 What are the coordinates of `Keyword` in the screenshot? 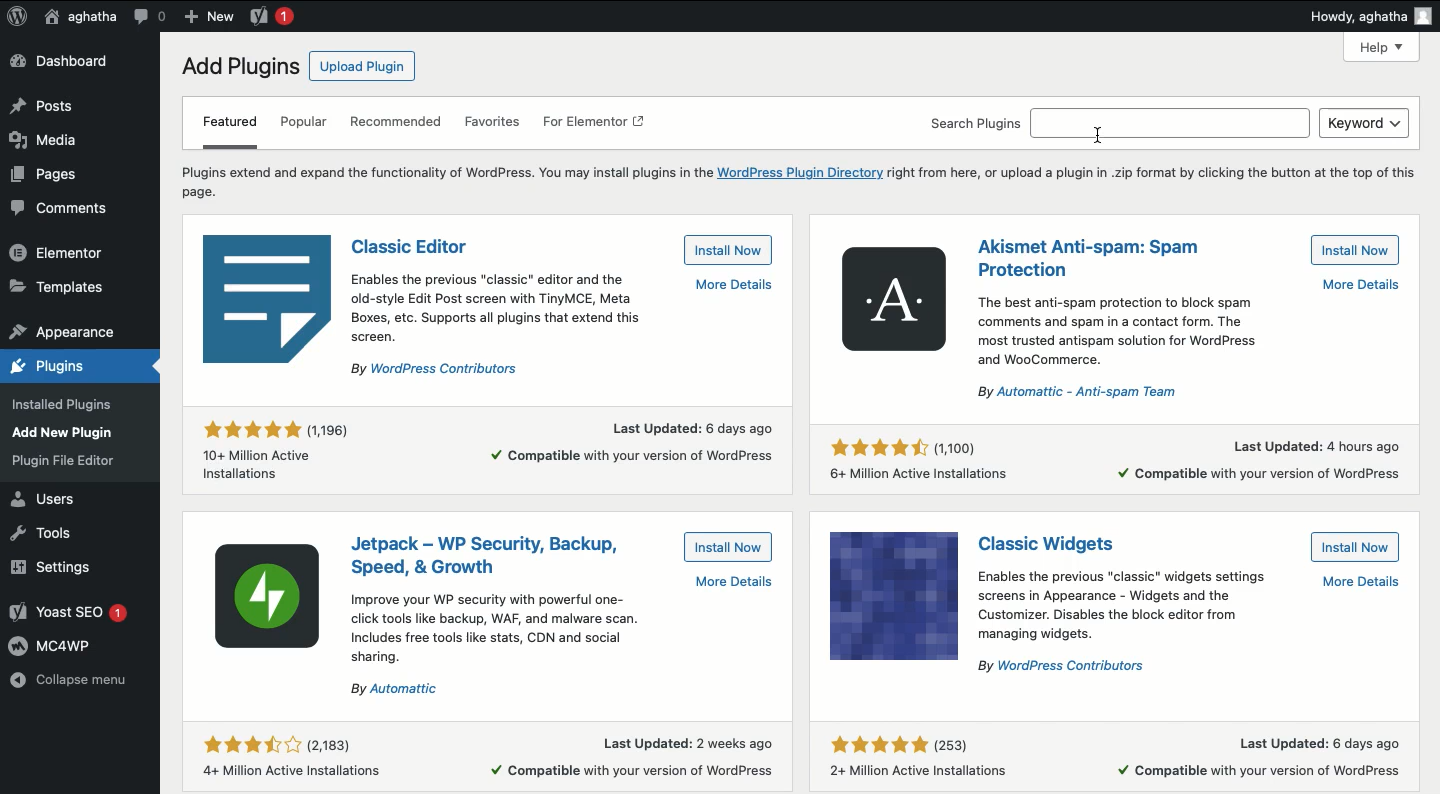 It's located at (1365, 123).